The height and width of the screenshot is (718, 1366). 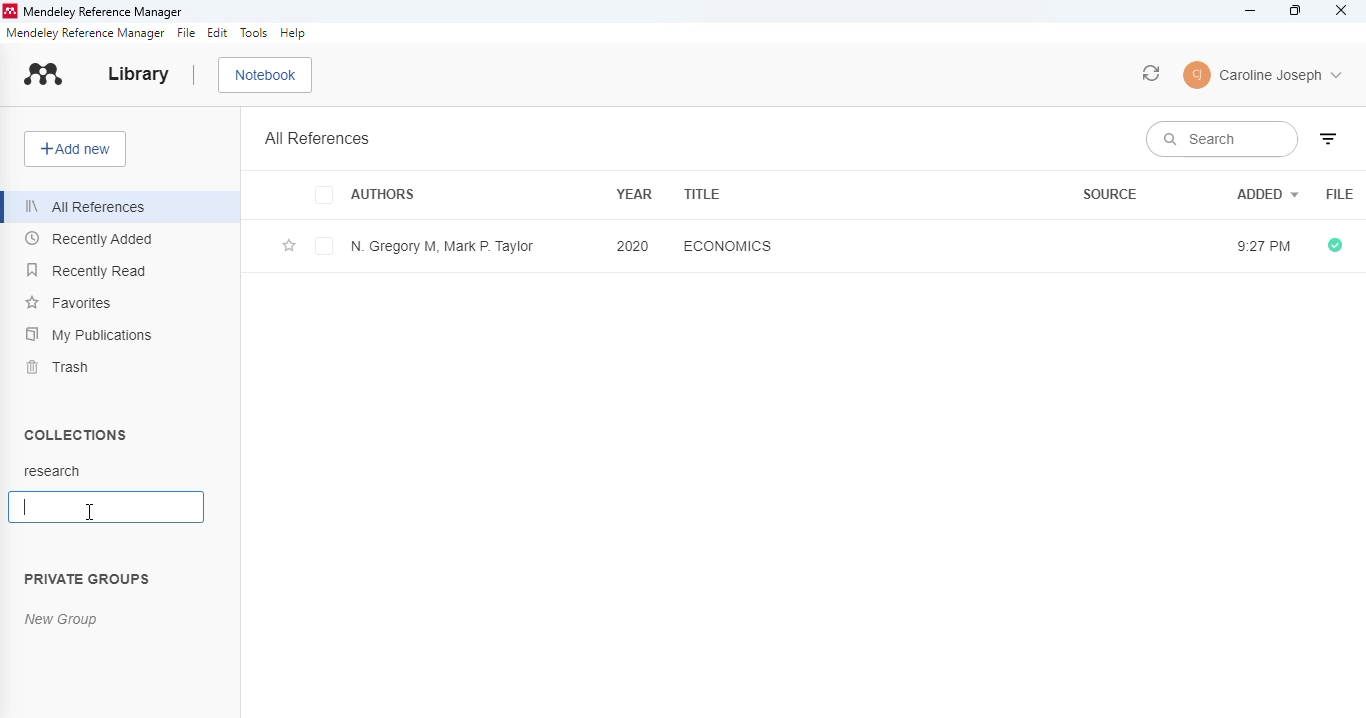 I want to click on economics, so click(x=727, y=245).